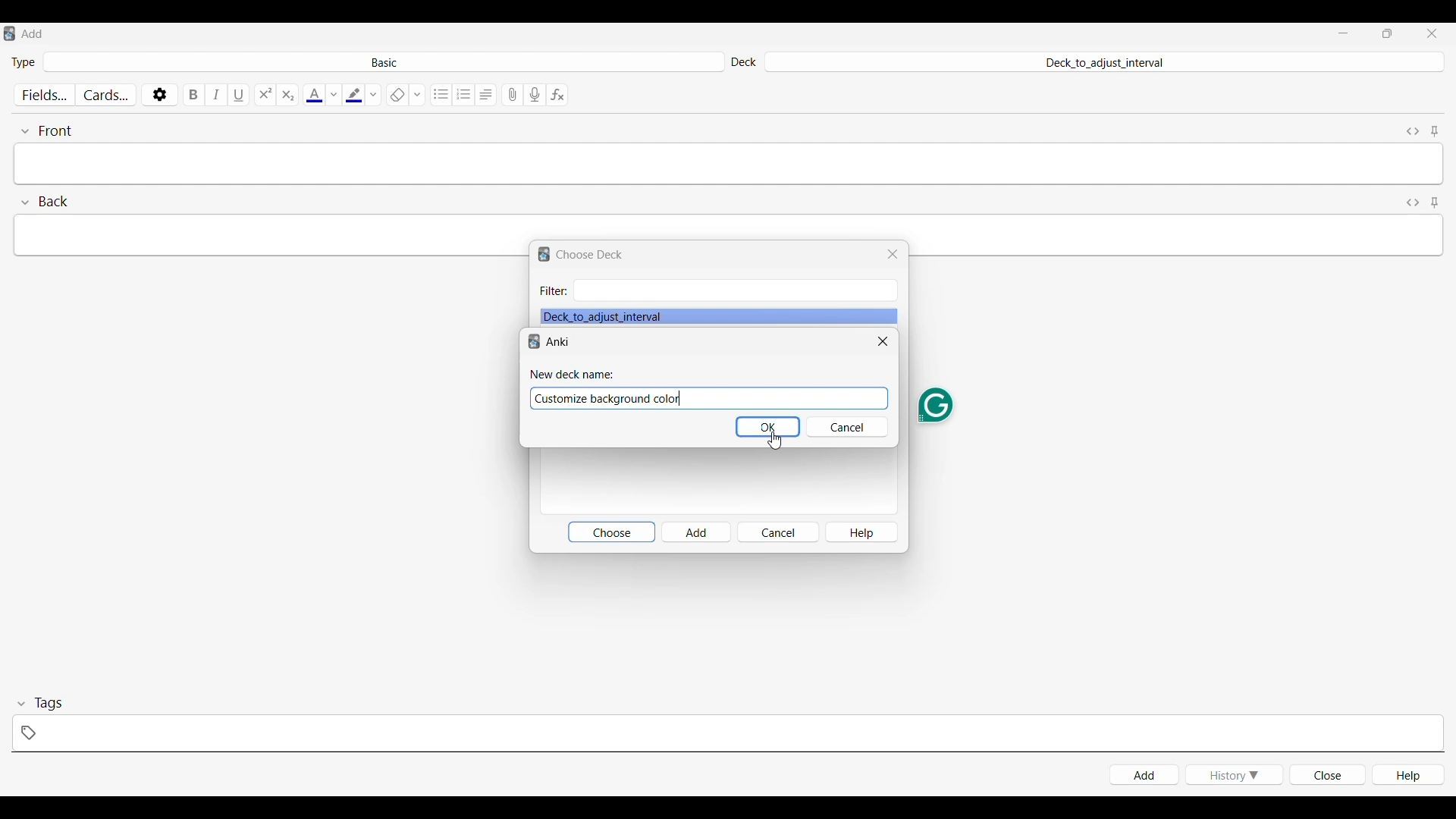 This screenshot has height=819, width=1456. Describe the element at coordinates (384, 61) in the screenshot. I see `Click to select card type in deck` at that location.